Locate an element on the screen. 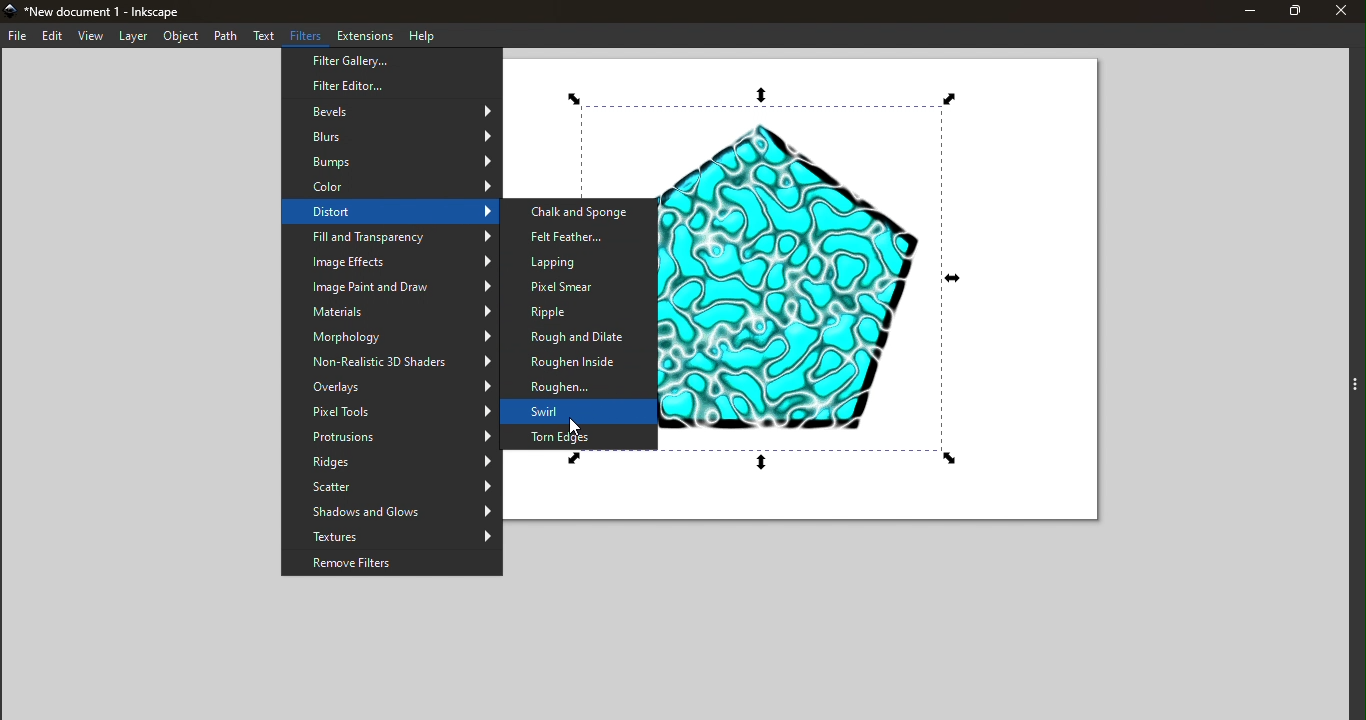 This screenshot has height=720, width=1366. Image Paint and Draw is located at coordinates (390, 288).